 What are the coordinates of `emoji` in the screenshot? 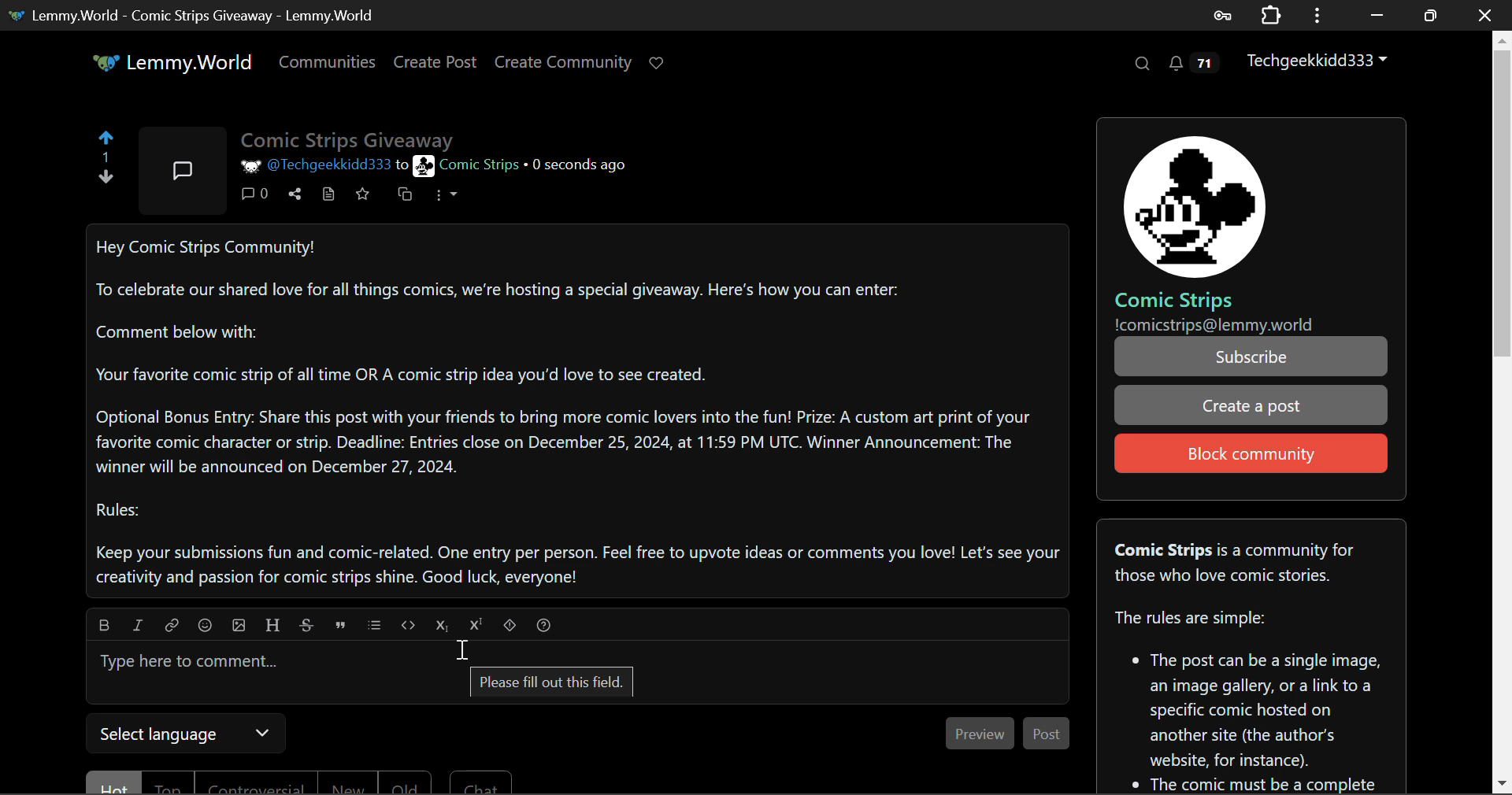 It's located at (205, 623).